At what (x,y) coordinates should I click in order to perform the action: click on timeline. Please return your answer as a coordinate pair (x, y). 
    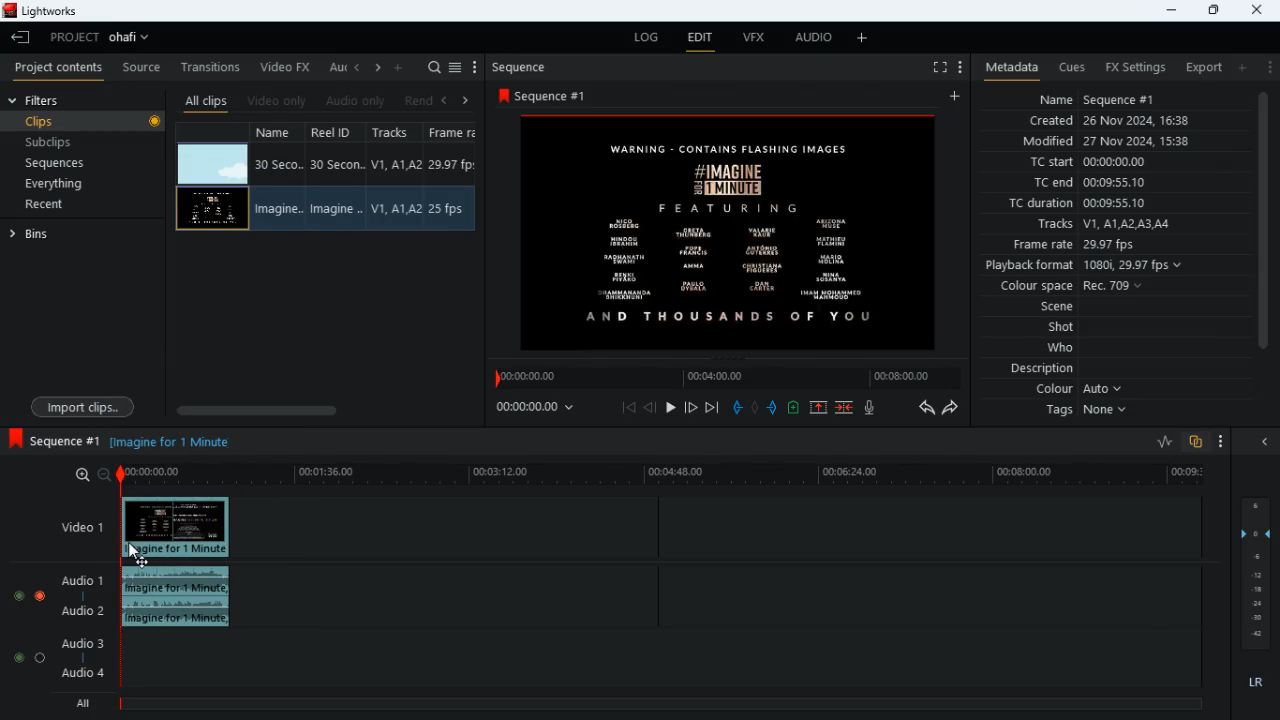
    Looking at the image, I should click on (730, 376).